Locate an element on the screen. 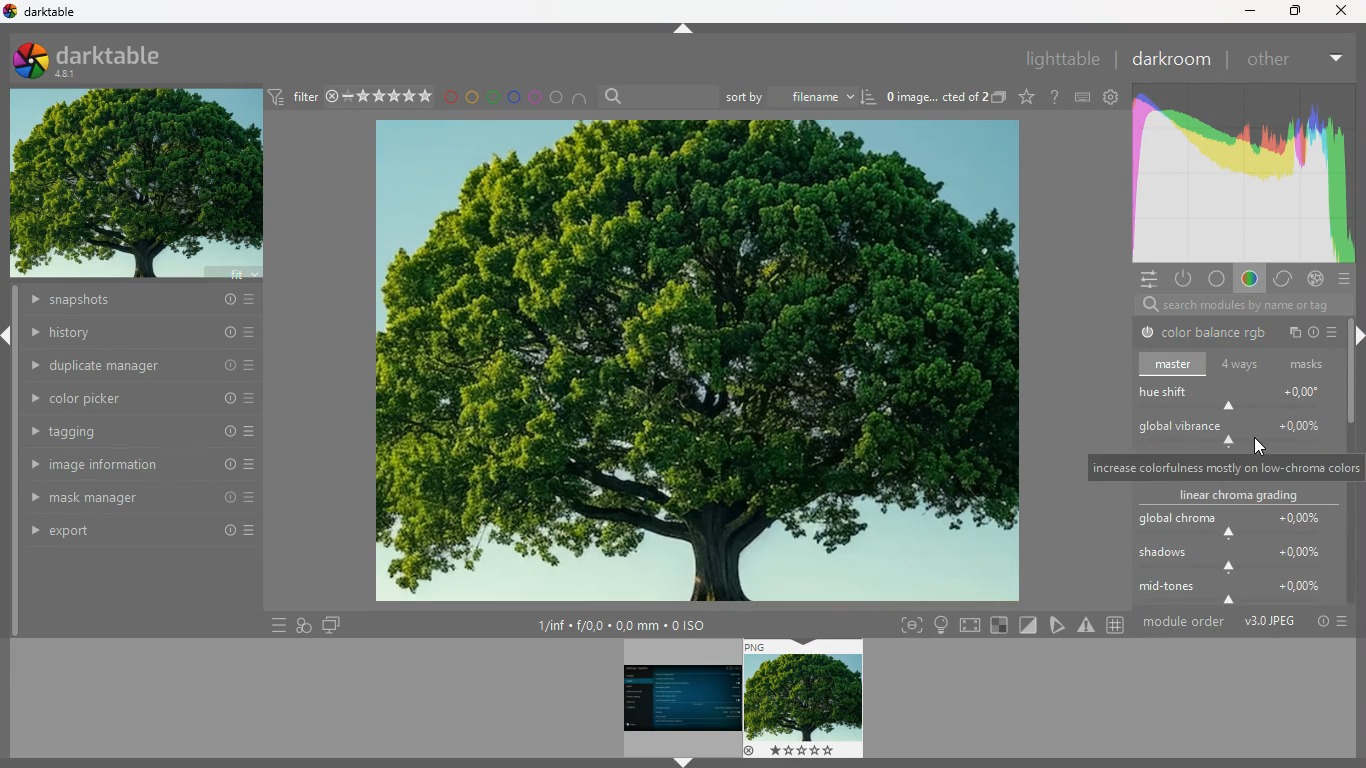  tagging is located at coordinates (143, 432).